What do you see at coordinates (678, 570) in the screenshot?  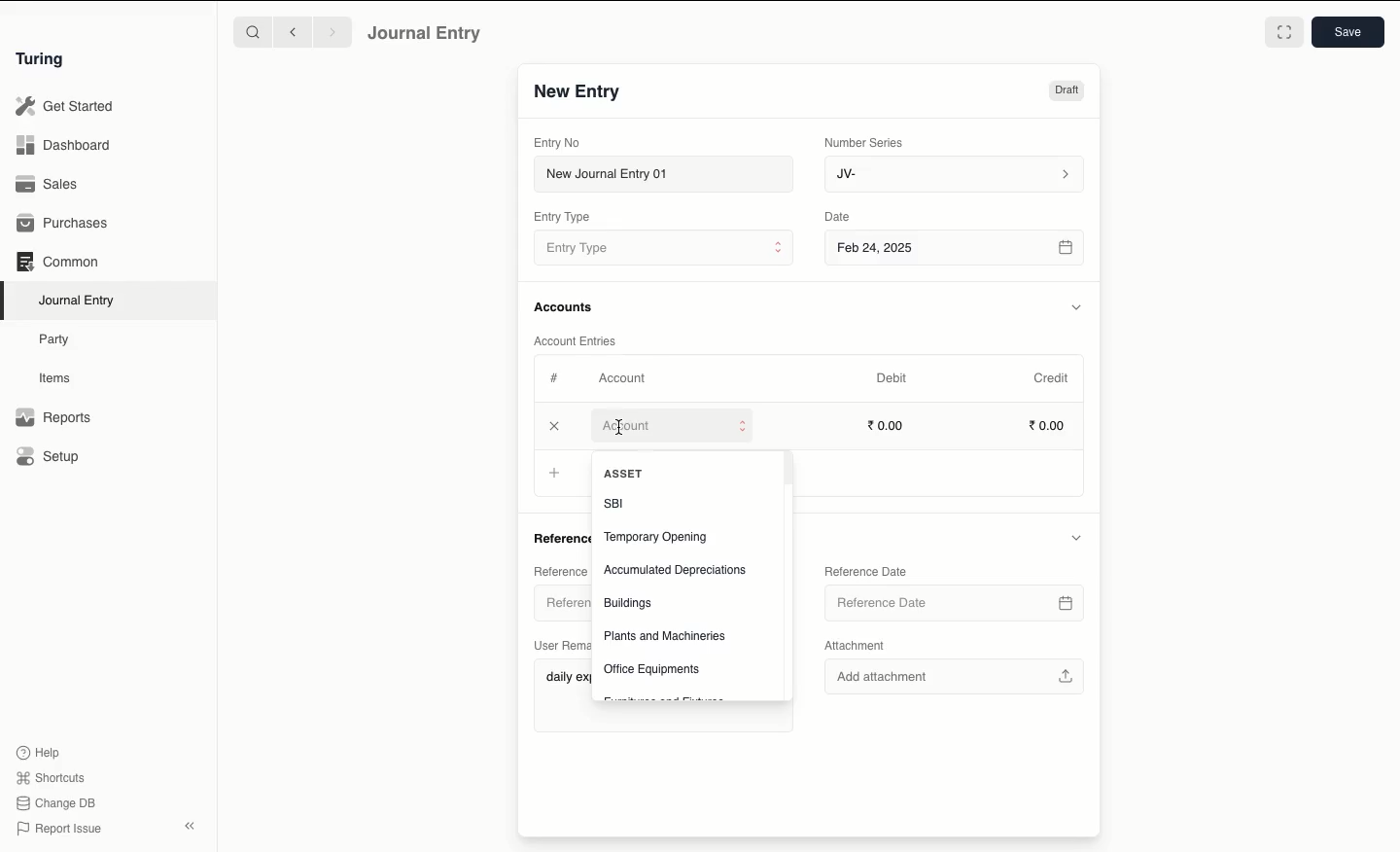 I see `Accumulated Depreciations` at bounding box center [678, 570].